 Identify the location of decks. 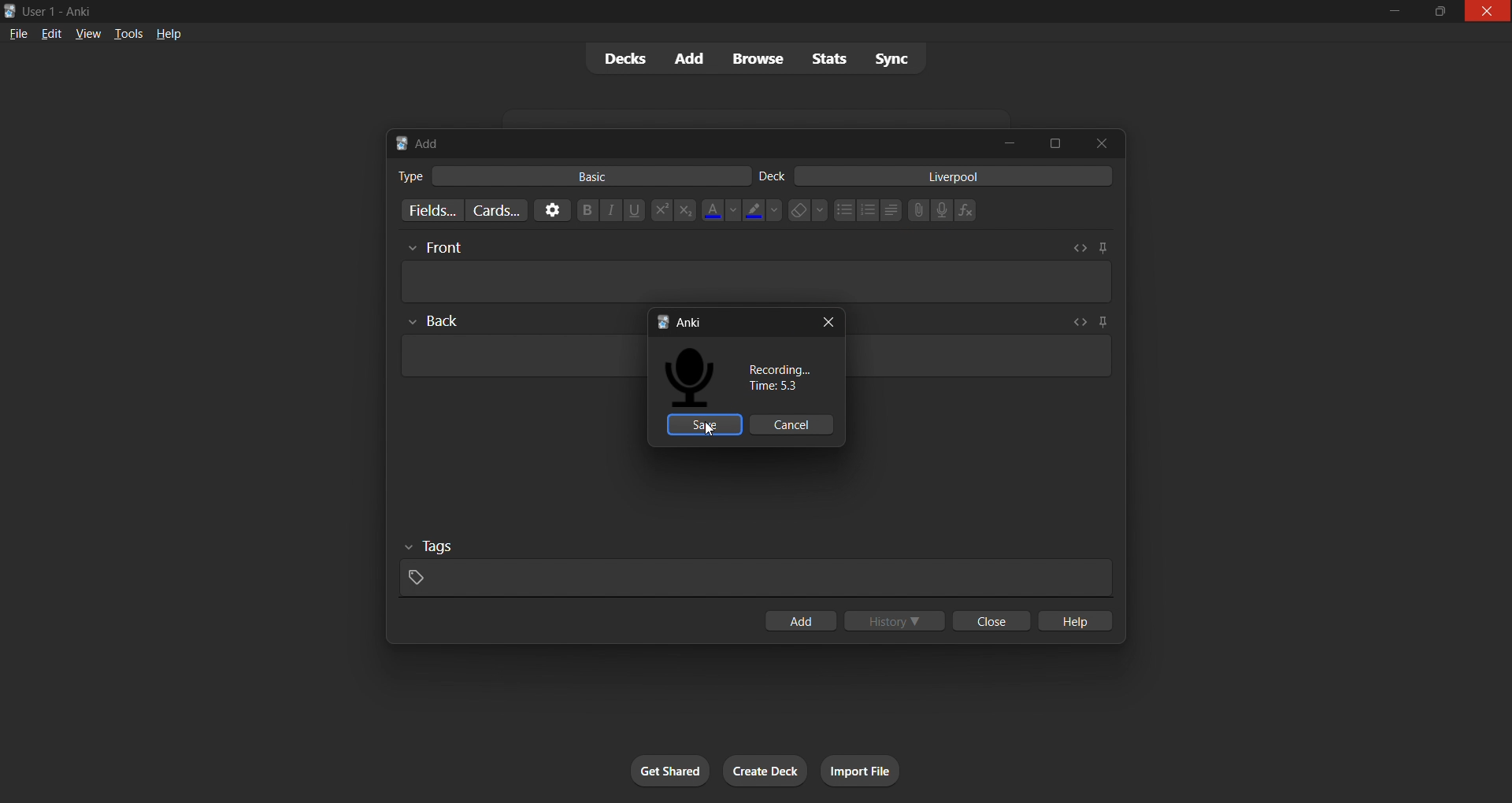
(621, 59).